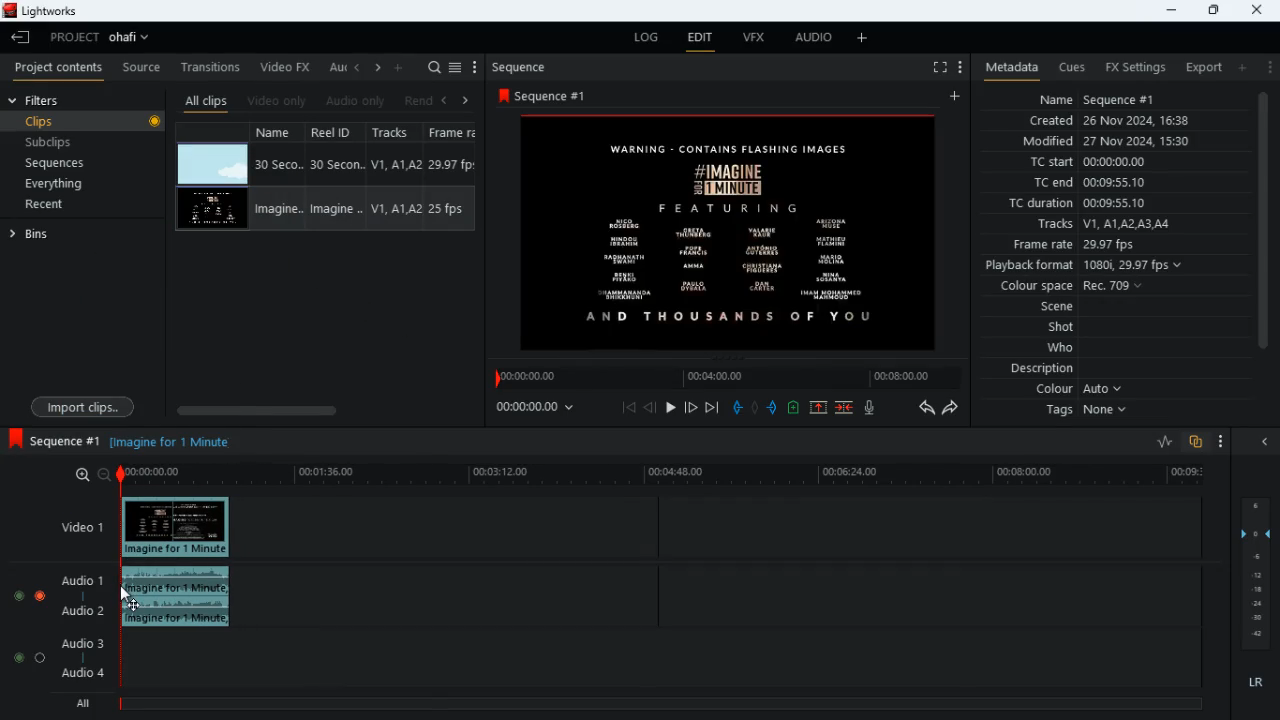 The height and width of the screenshot is (720, 1280). I want to click on Toggle, so click(40, 593).